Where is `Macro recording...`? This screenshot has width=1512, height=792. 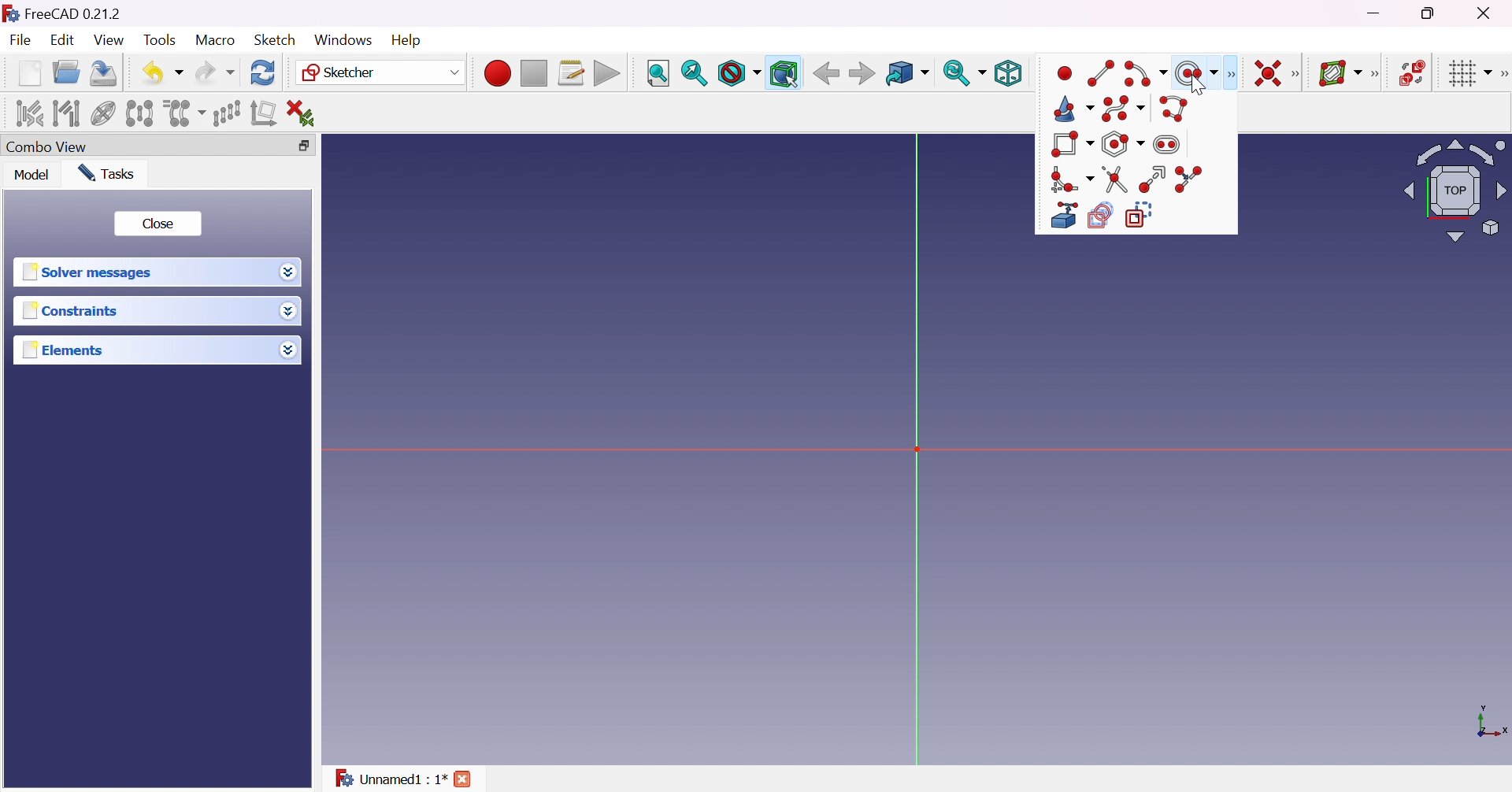 Macro recording... is located at coordinates (497, 71).